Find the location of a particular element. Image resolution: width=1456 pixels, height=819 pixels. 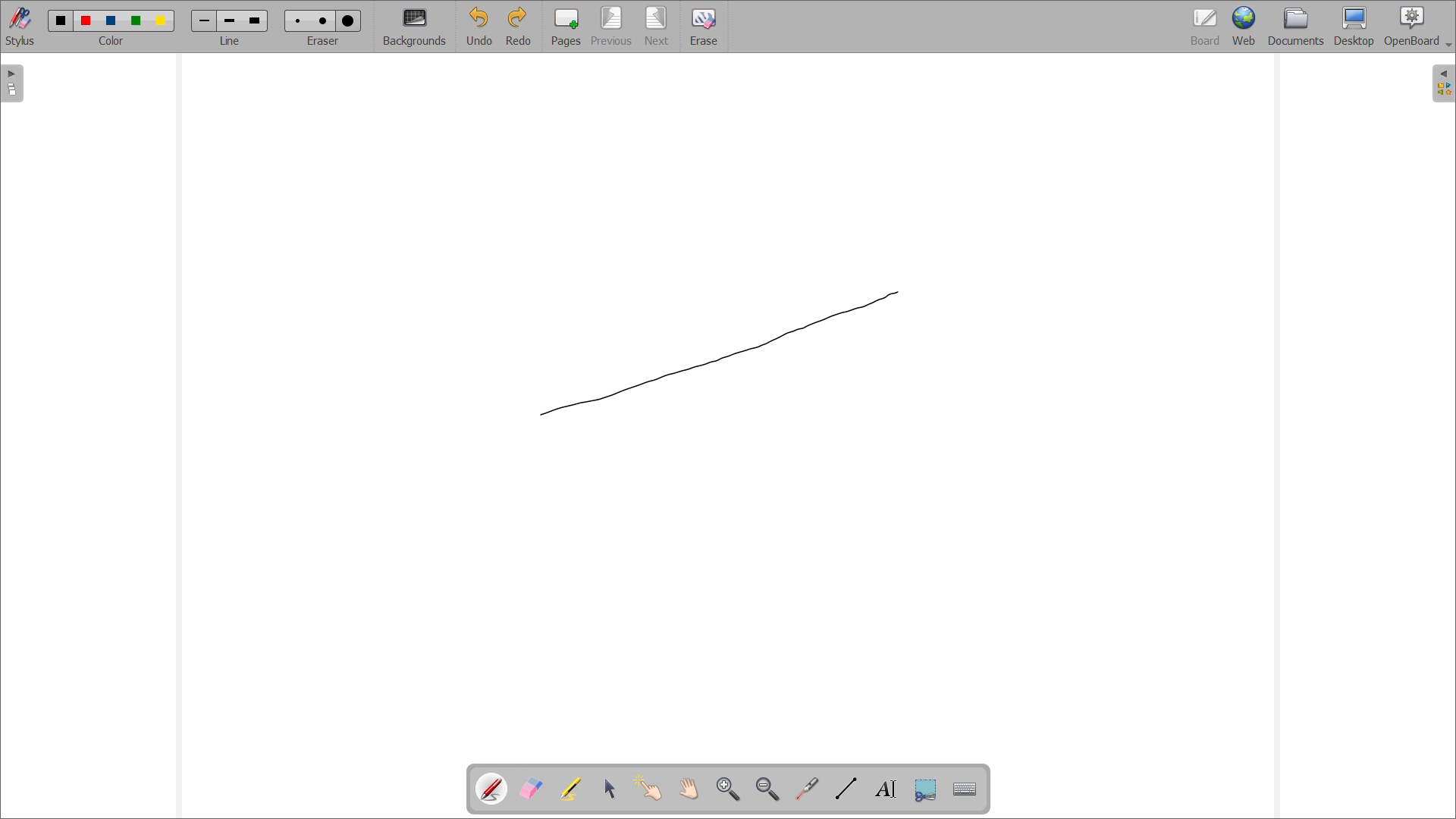

scroll page is located at coordinates (689, 788).